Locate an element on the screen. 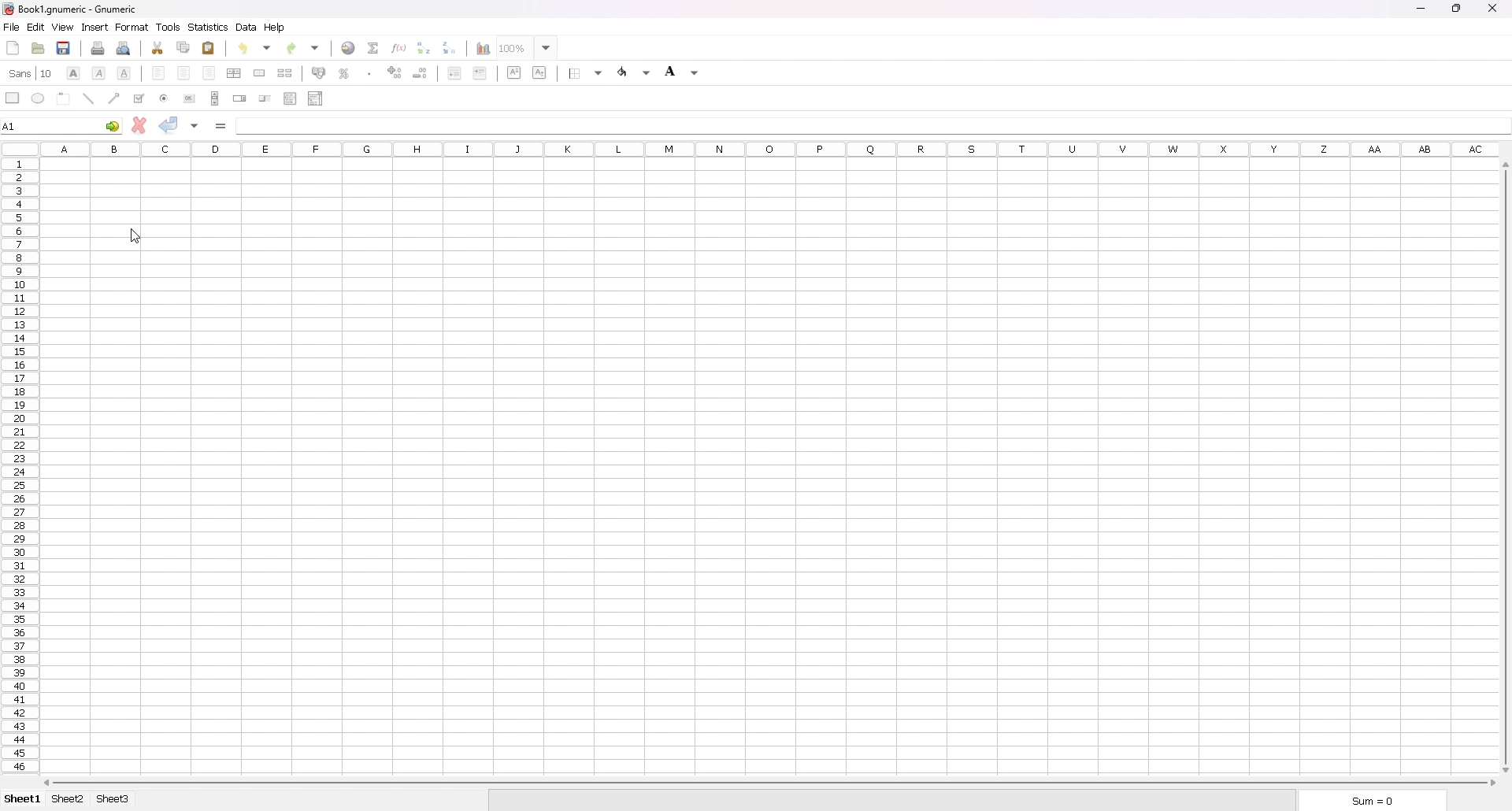 This screenshot has width=1512, height=811. formula is located at coordinates (222, 125).